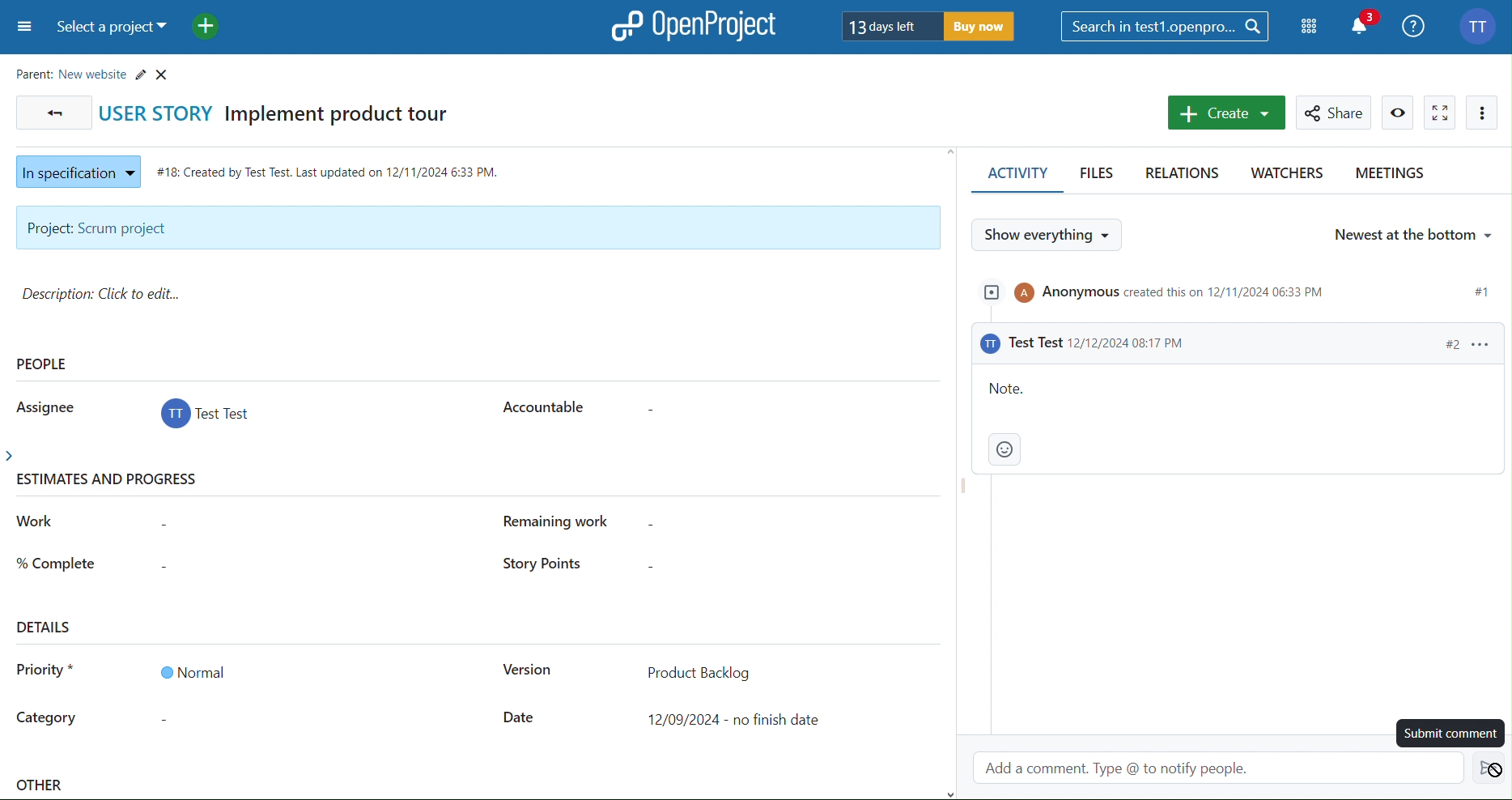 The image size is (1512, 800). I want to click on Date, so click(520, 718).